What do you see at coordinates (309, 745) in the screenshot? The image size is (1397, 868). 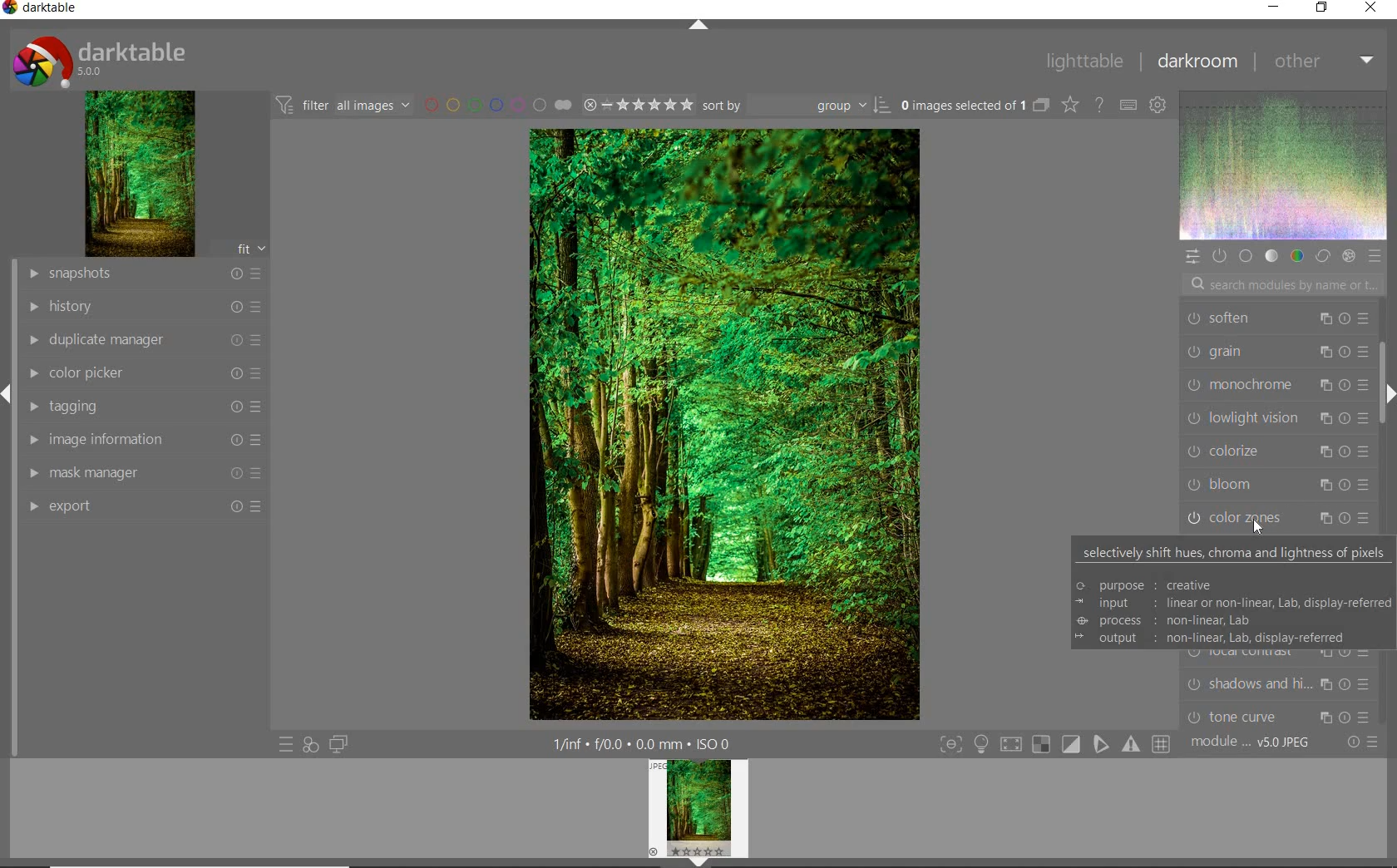 I see `QUICK ACCESS FOR APPLYING OF YOUR STYLES` at bounding box center [309, 745].